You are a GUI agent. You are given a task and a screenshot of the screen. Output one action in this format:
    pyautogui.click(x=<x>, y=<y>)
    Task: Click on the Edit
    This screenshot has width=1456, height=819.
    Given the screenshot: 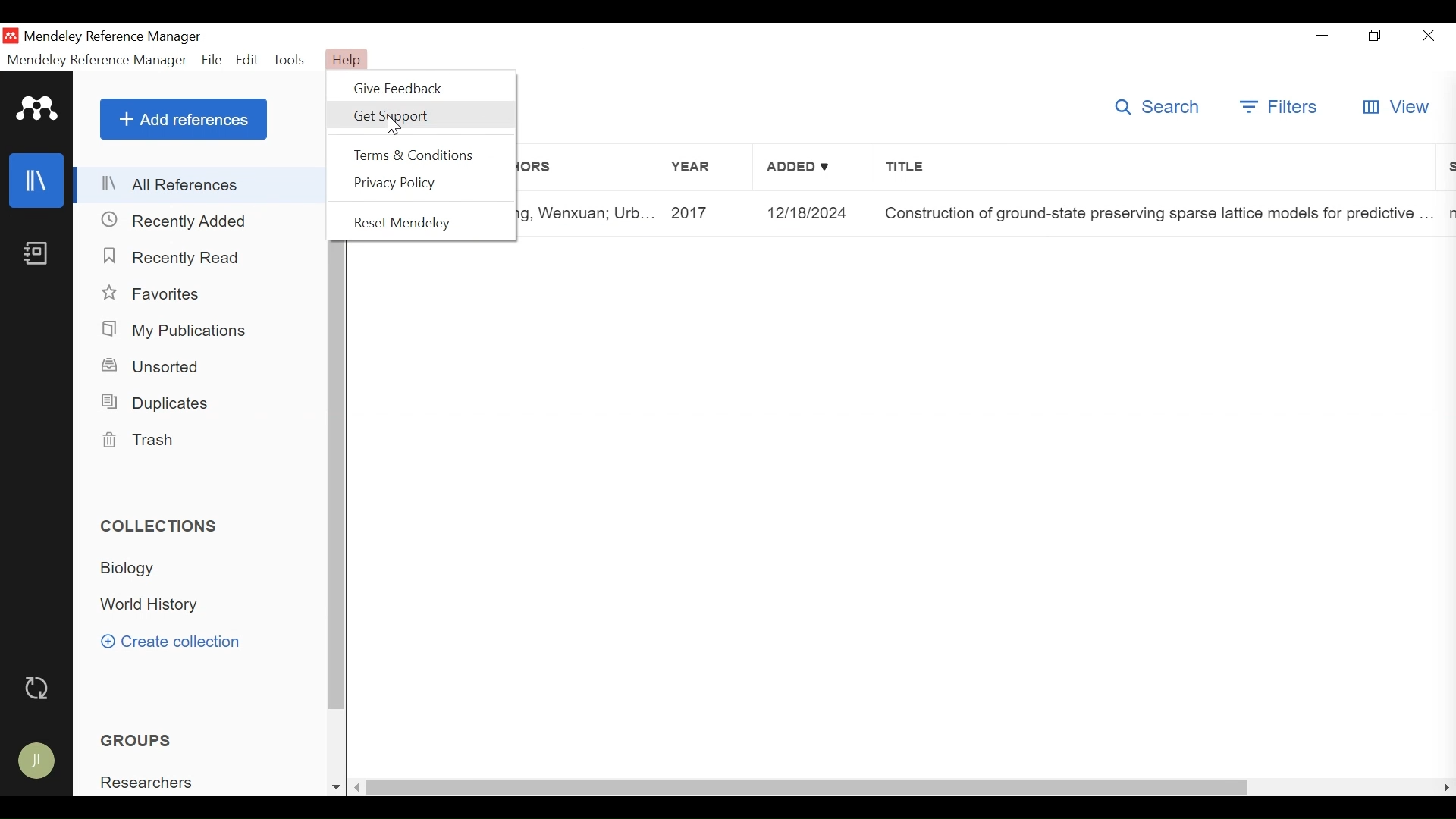 What is the action you would take?
    pyautogui.click(x=247, y=59)
    